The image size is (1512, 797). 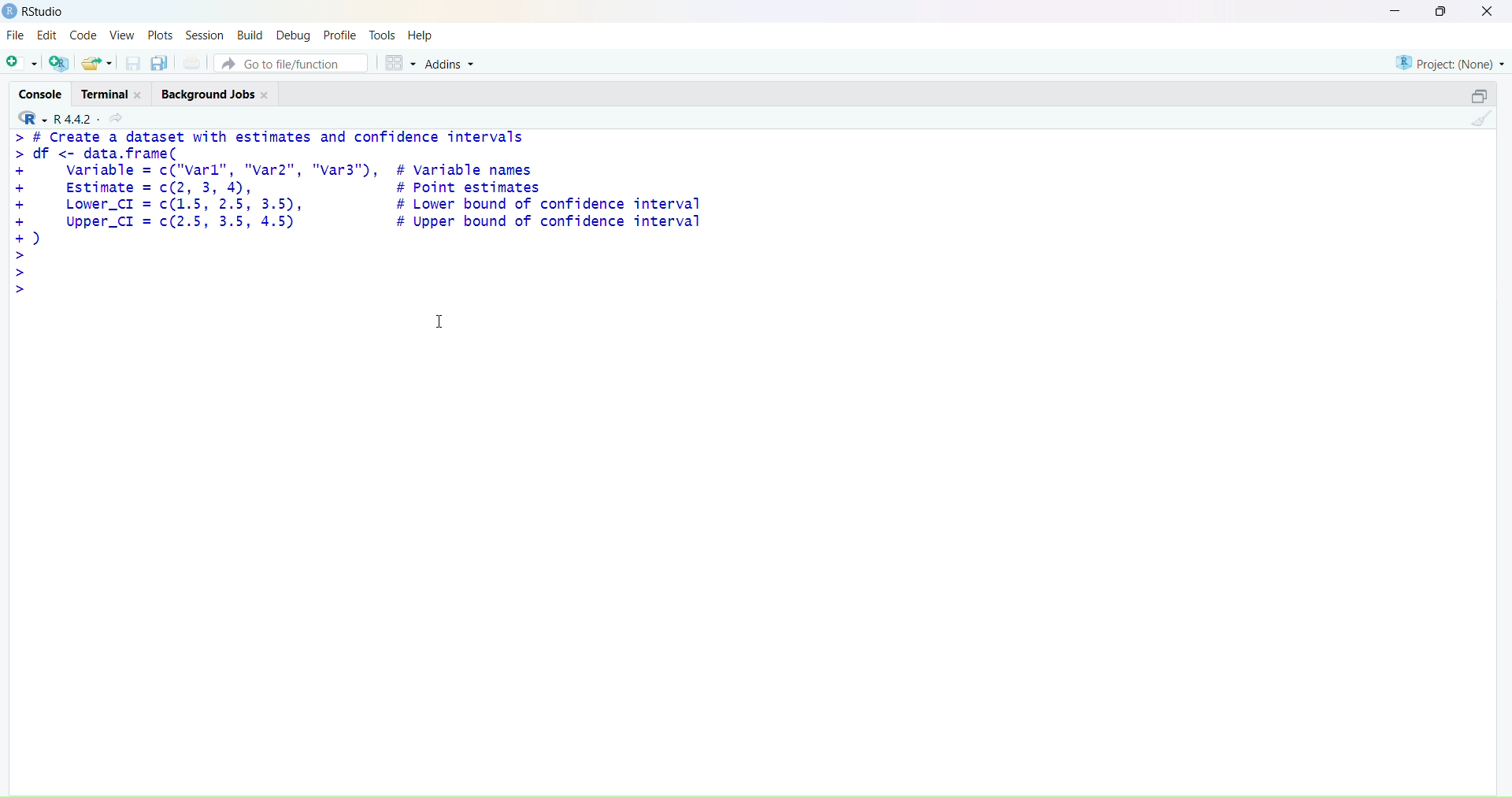 I want to click on create a project, so click(x=59, y=62).